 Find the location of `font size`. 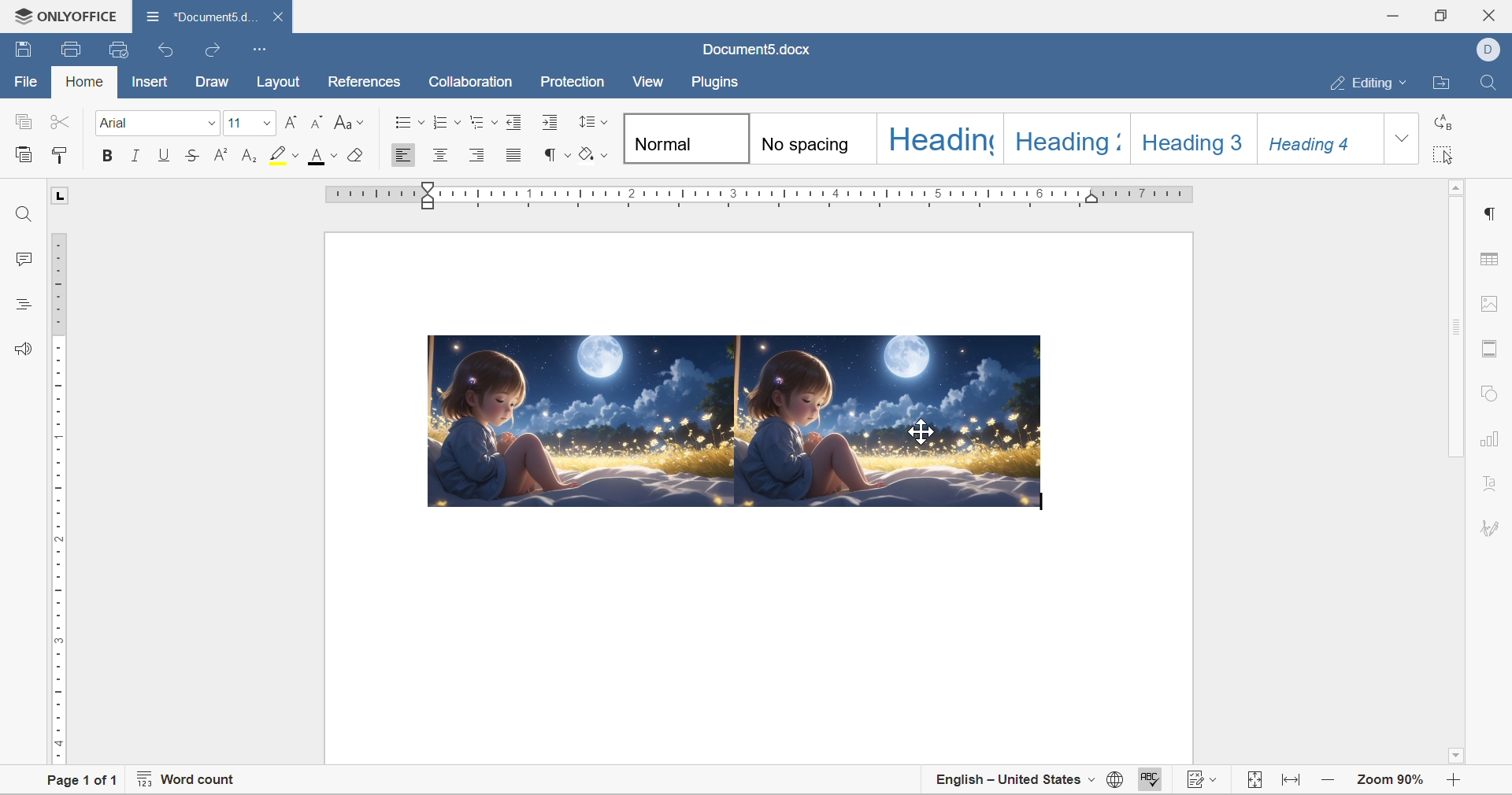

font size is located at coordinates (235, 122).